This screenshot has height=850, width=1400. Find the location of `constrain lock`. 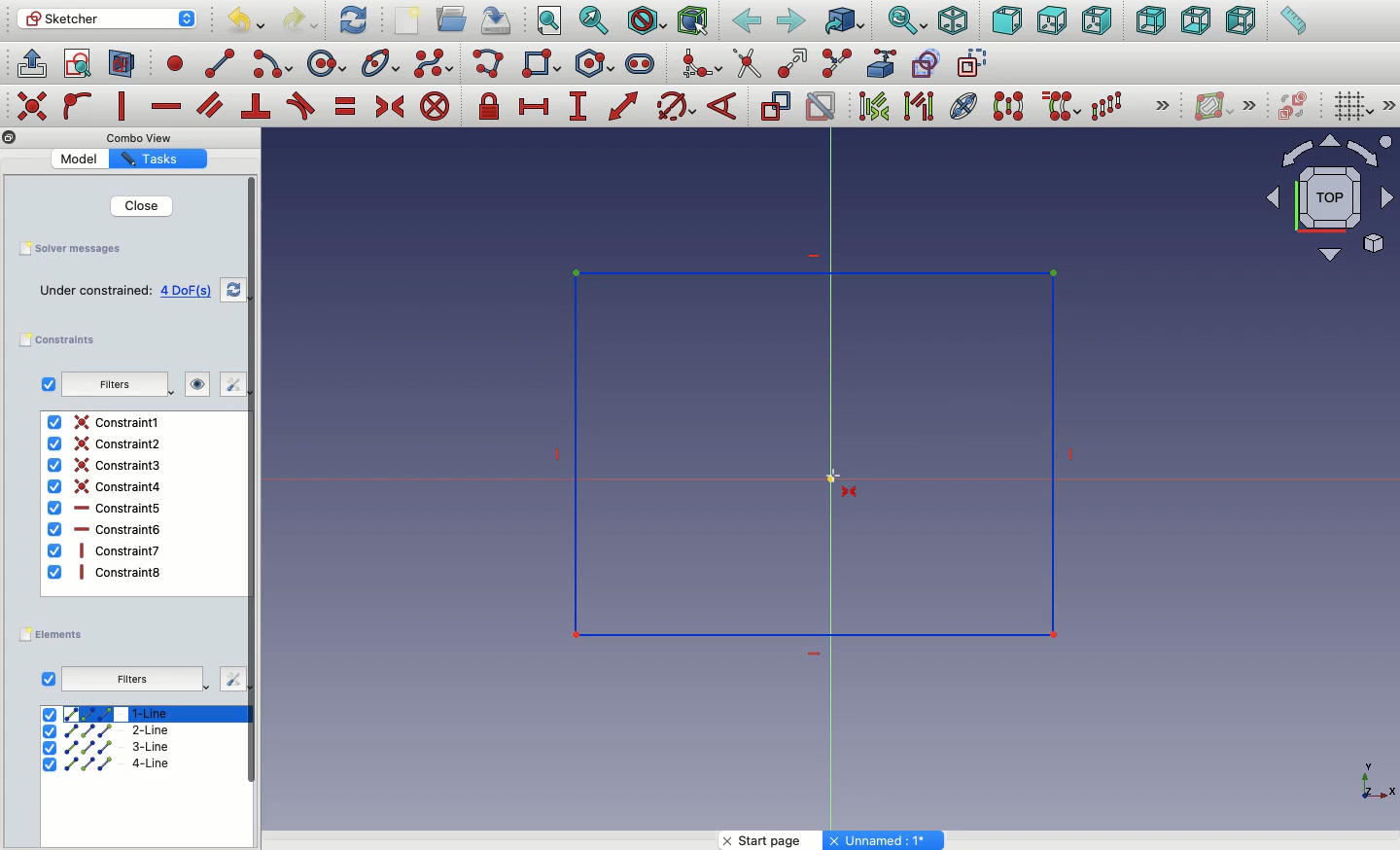

constrain lock is located at coordinates (492, 108).